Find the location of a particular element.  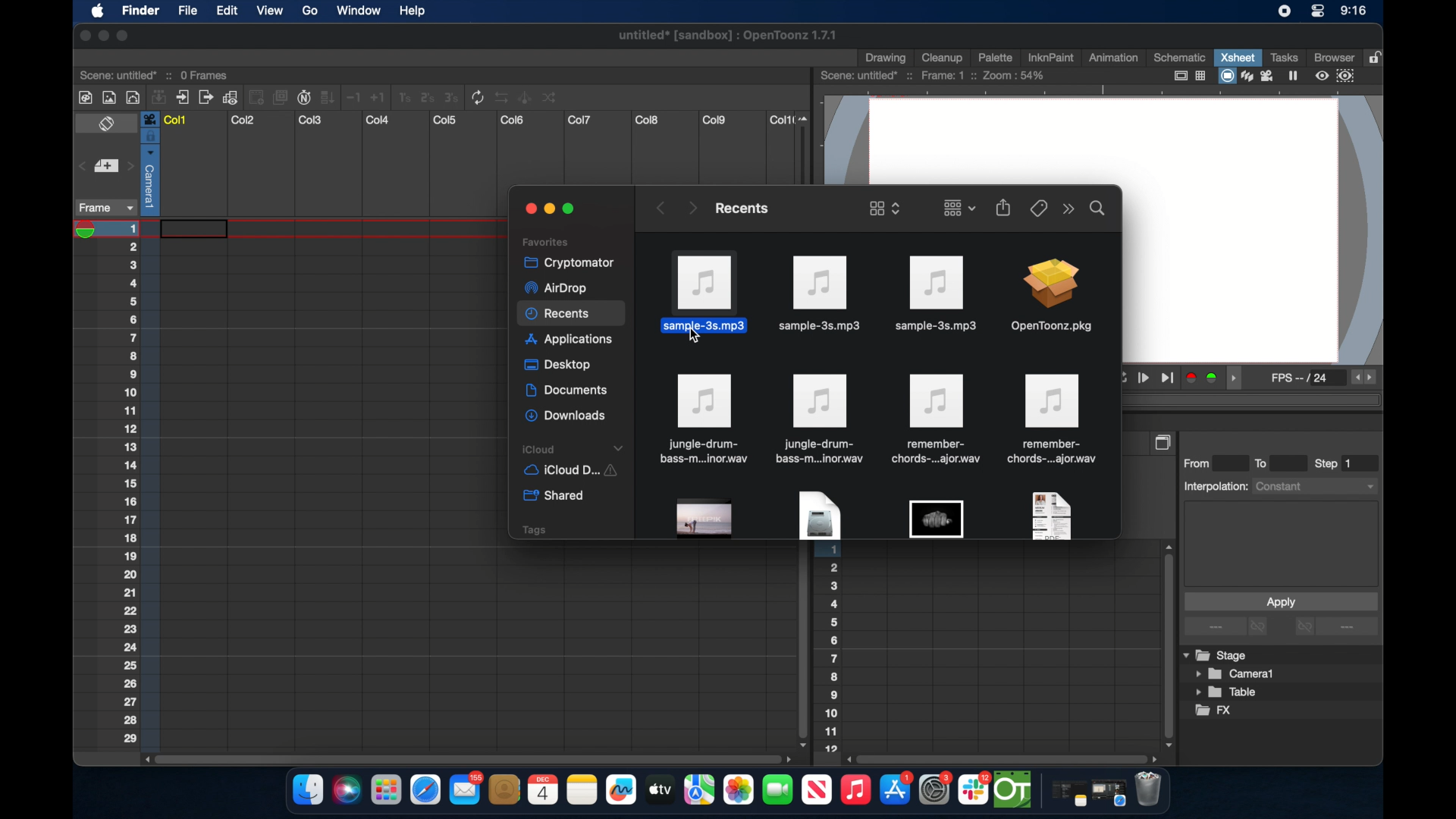

finder is located at coordinates (308, 790).